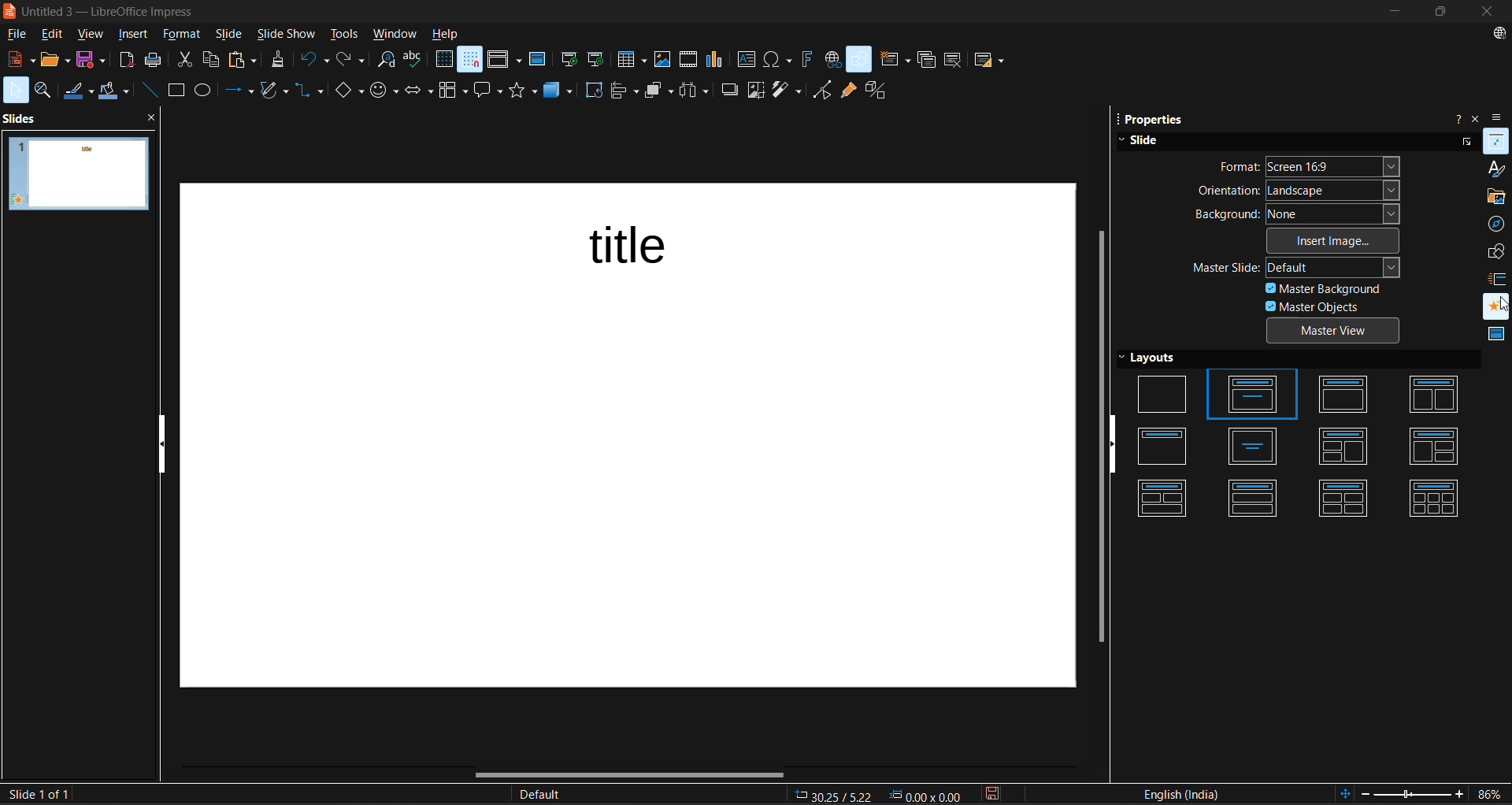 The image size is (1512, 805). I want to click on delete slide, so click(955, 61).